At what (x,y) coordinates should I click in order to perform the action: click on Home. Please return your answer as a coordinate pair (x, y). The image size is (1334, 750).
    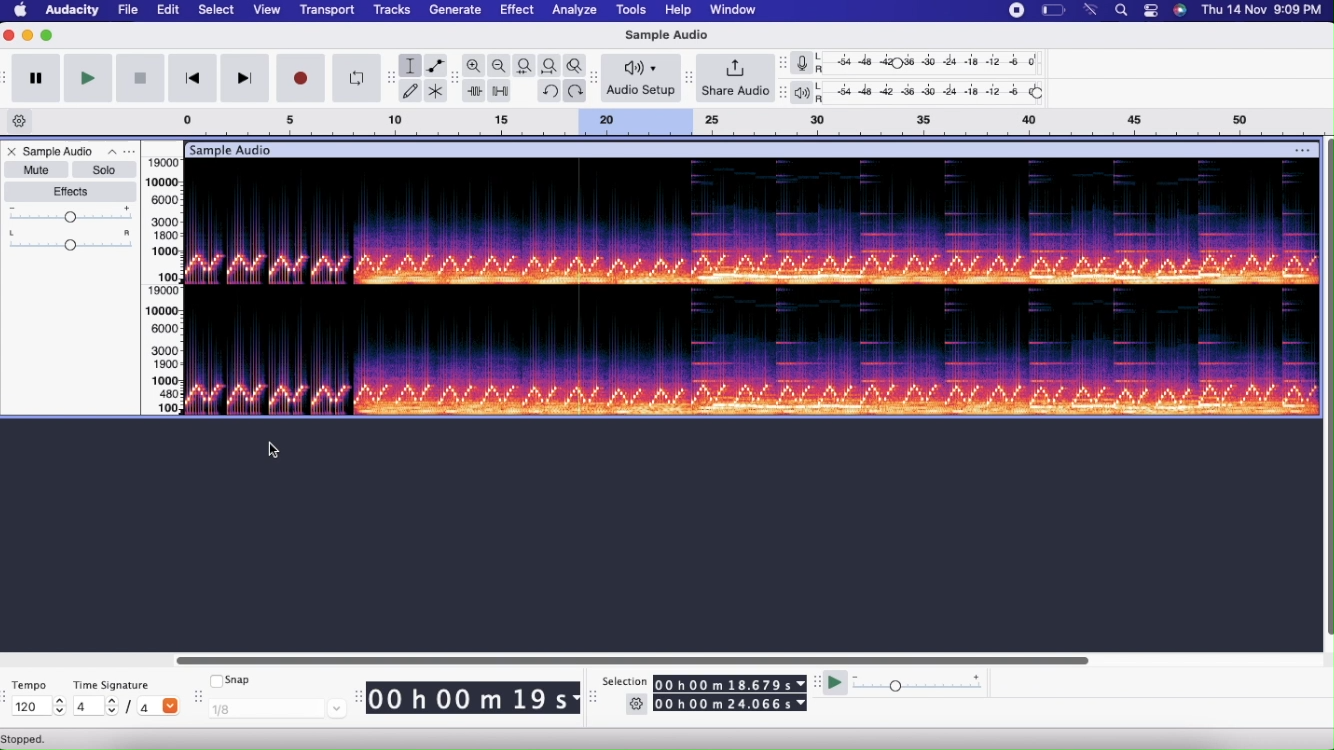
    Looking at the image, I should click on (22, 11).